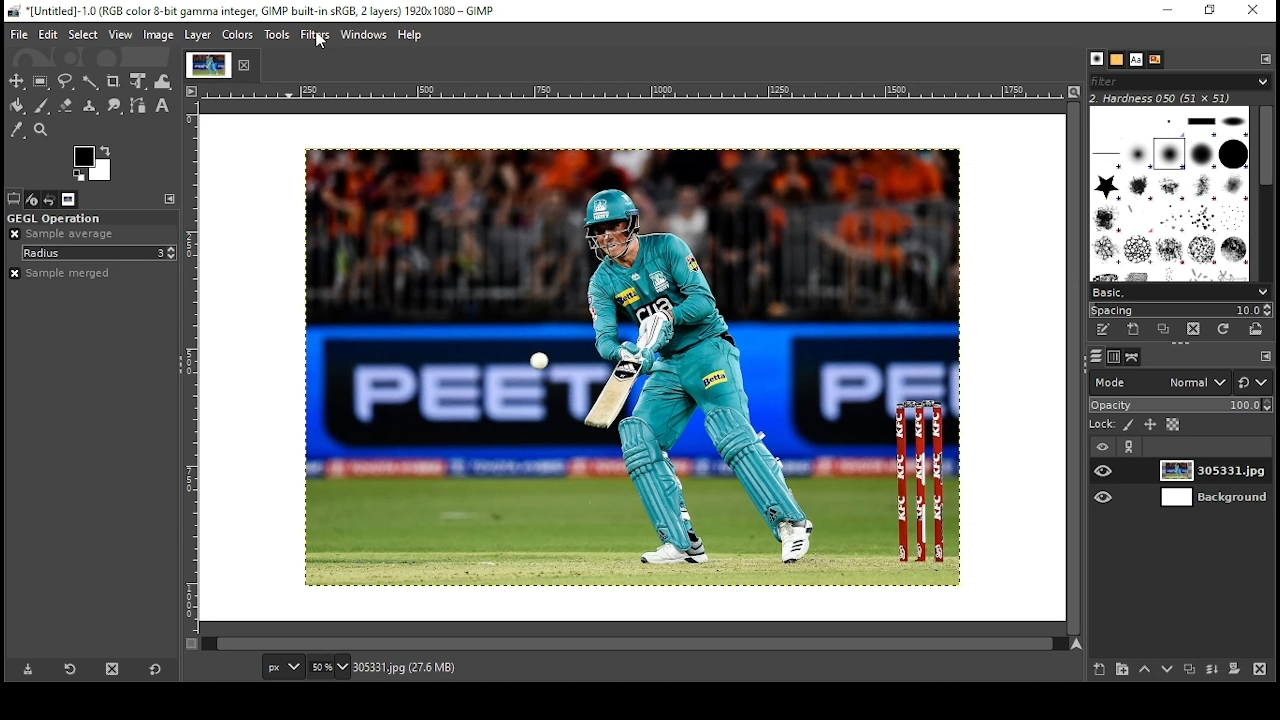 Image resolution: width=1280 pixels, height=720 pixels. I want to click on colors, so click(240, 35).